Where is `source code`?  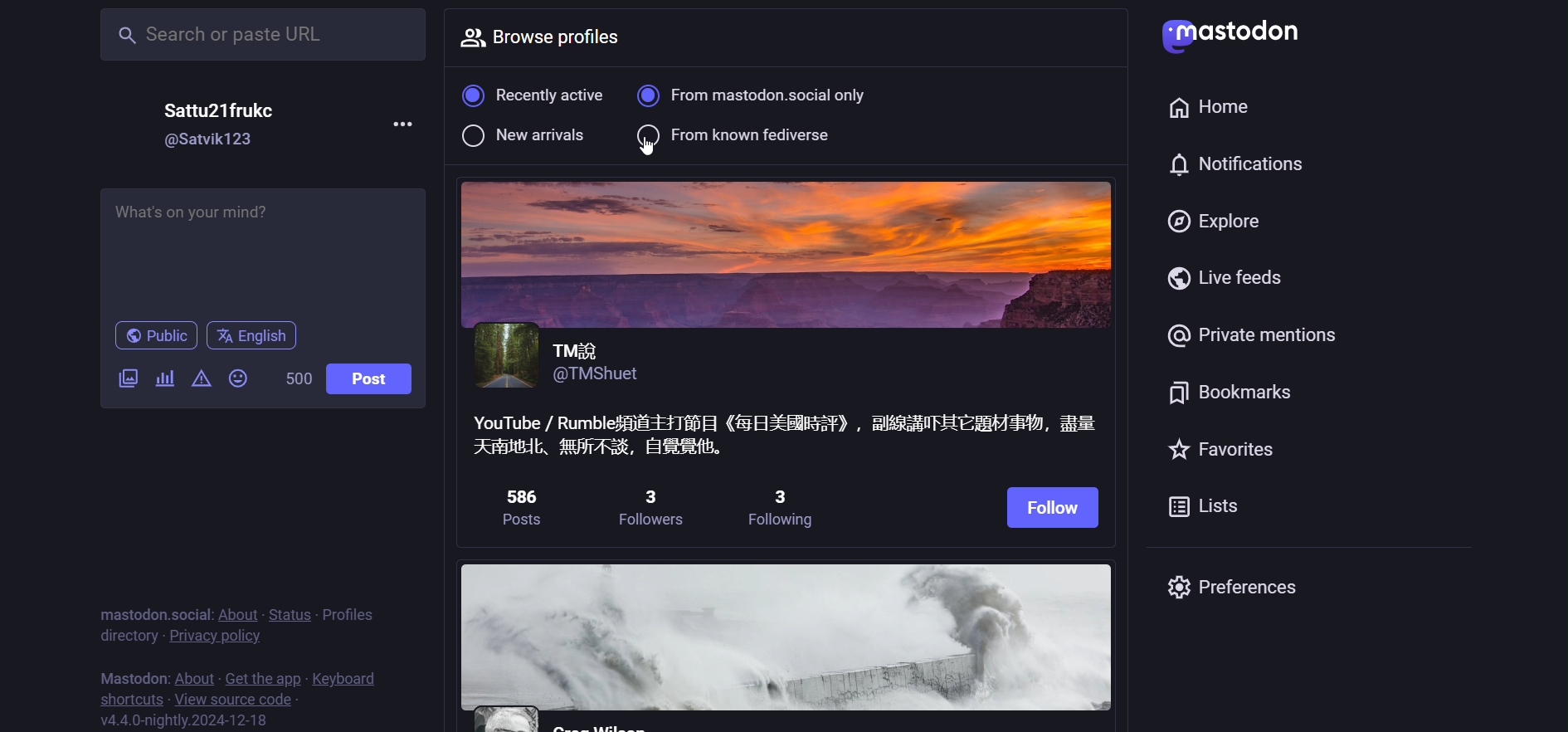
source code is located at coordinates (235, 699).